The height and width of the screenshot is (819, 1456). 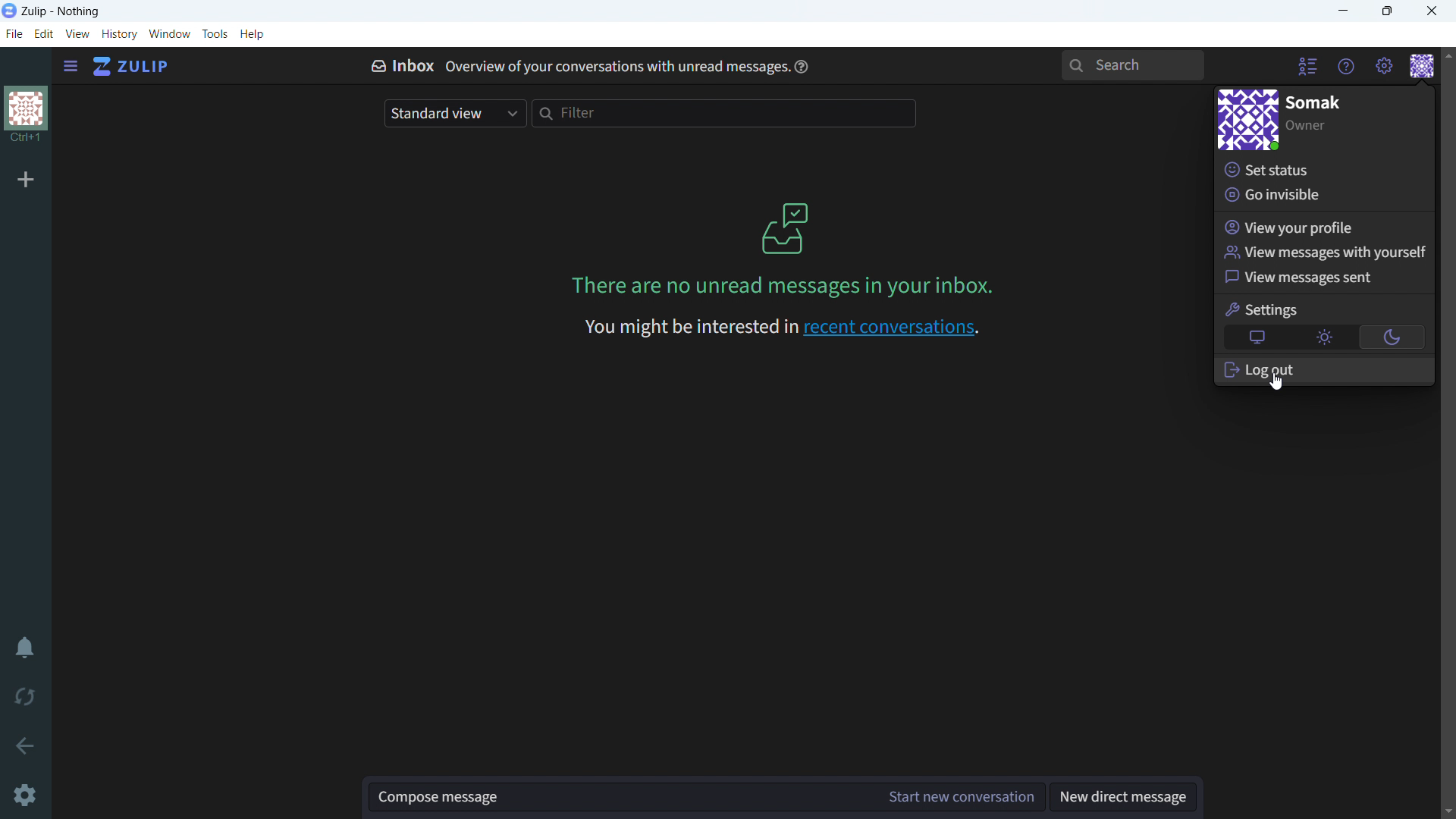 What do you see at coordinates (1323, 227) in the screenshot?
I see `view your profile` at bounding box center [1323, 227].